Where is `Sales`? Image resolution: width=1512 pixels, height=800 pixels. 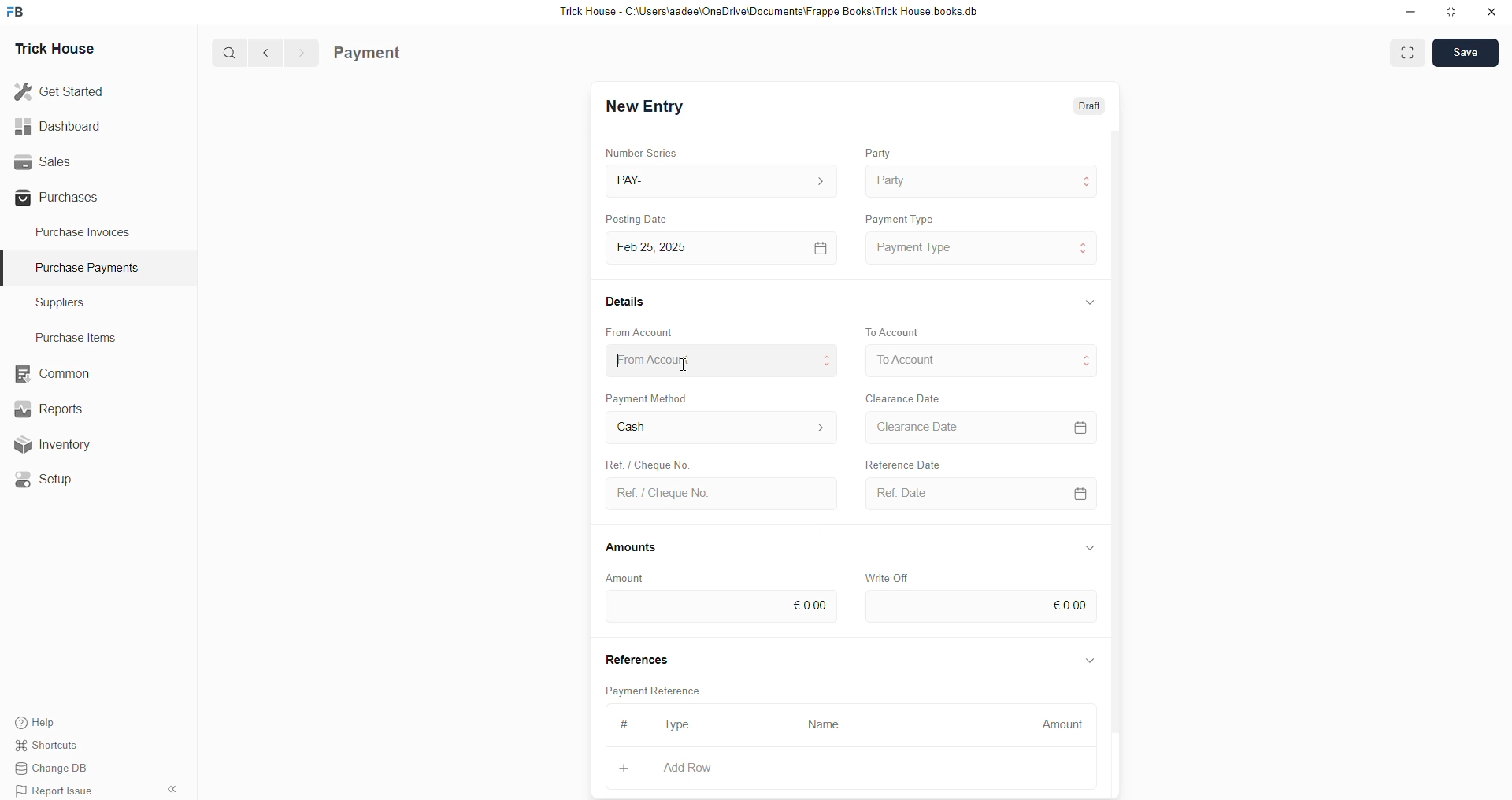 Sales is located at coordinates (41, 160).